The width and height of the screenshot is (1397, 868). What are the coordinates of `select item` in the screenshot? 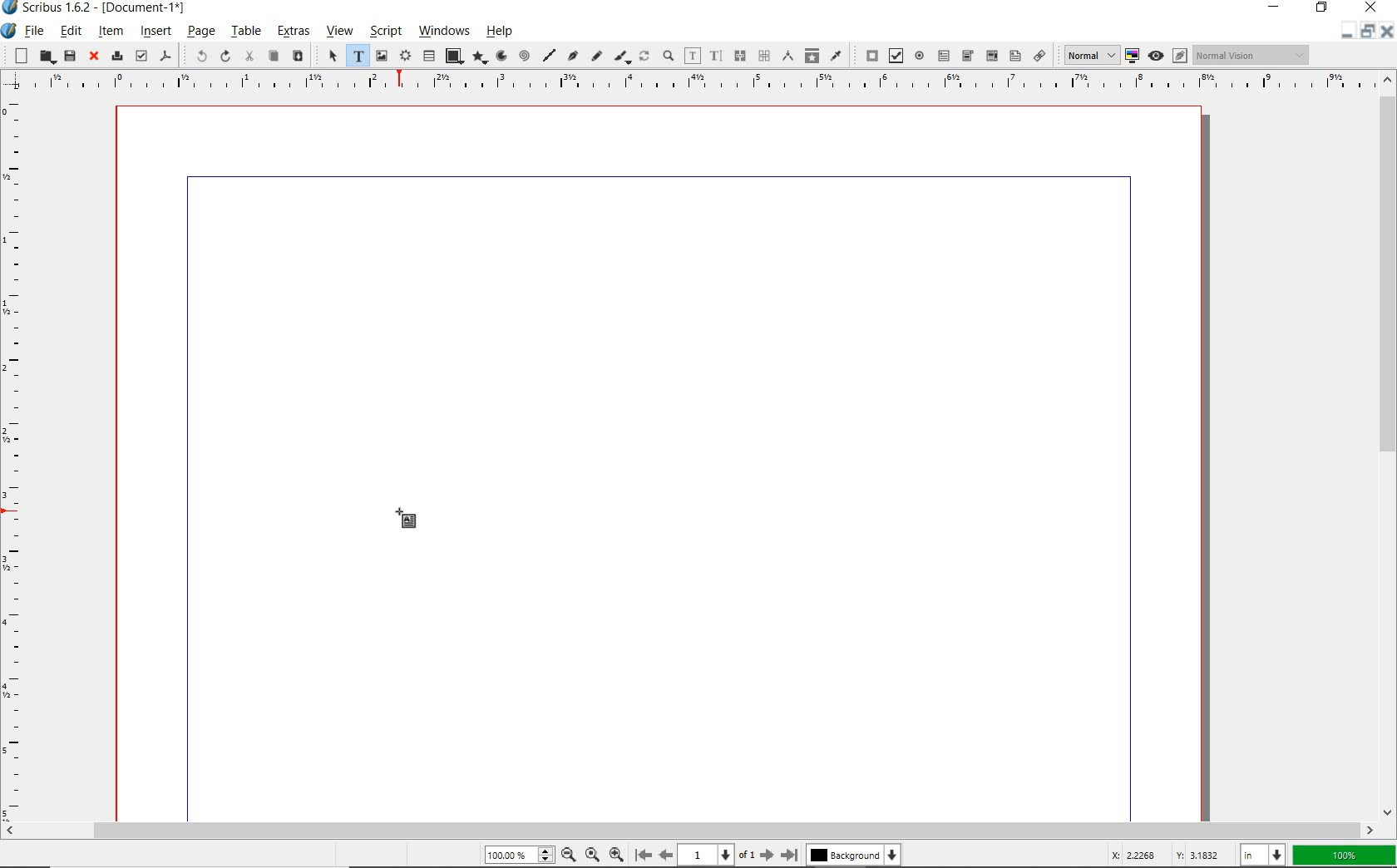 It's located at (331, 57).